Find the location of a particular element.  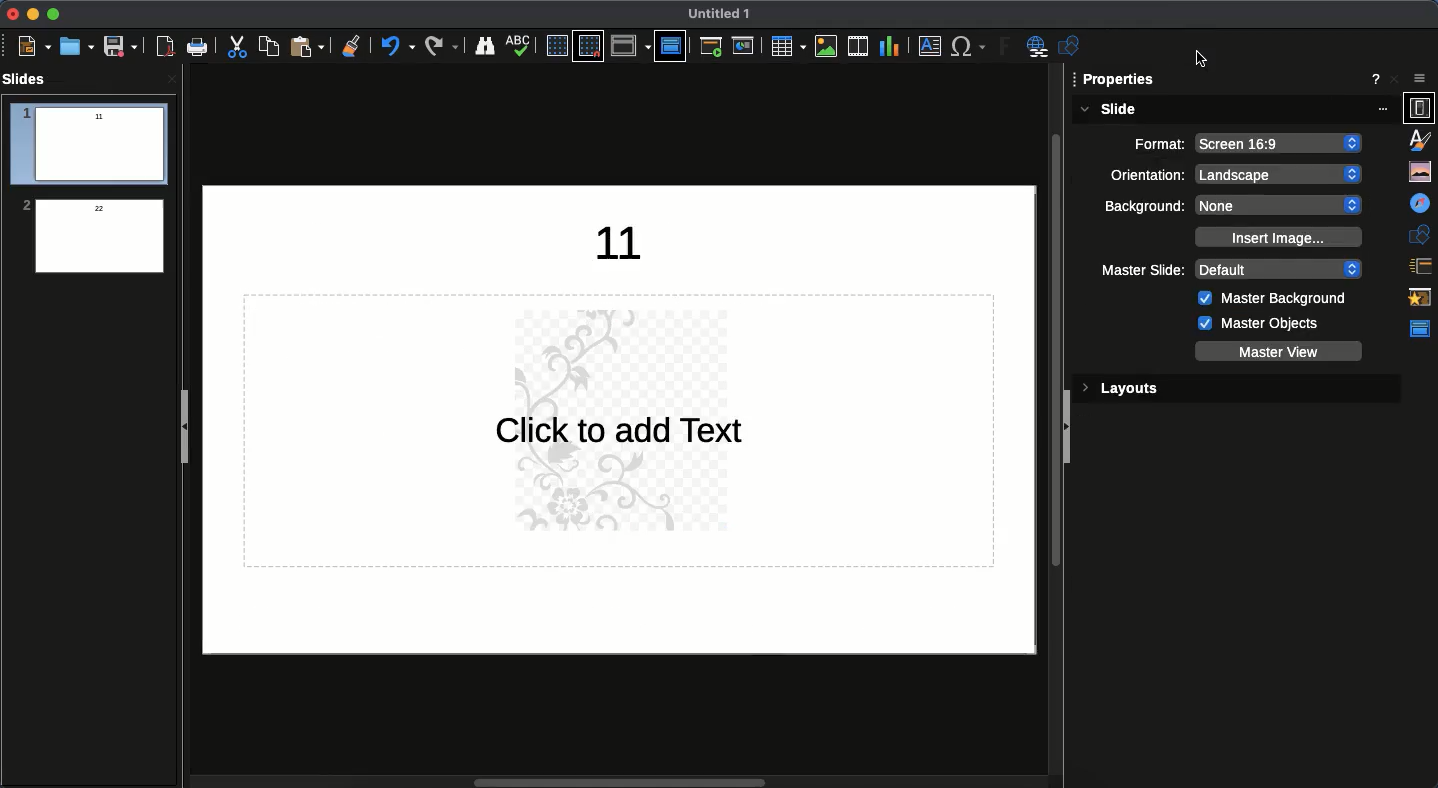

slide 1 is located at coordinates (88, 145).